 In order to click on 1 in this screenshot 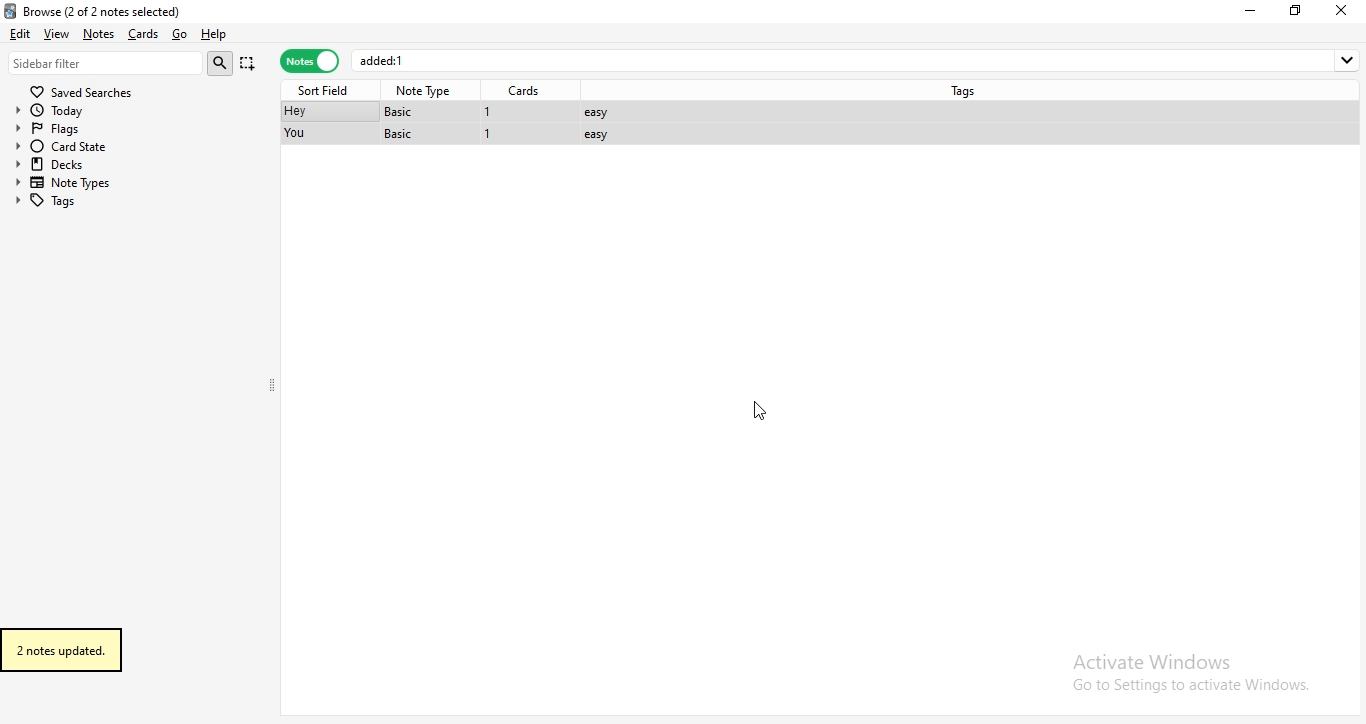, I will do `click(490, 136)`.